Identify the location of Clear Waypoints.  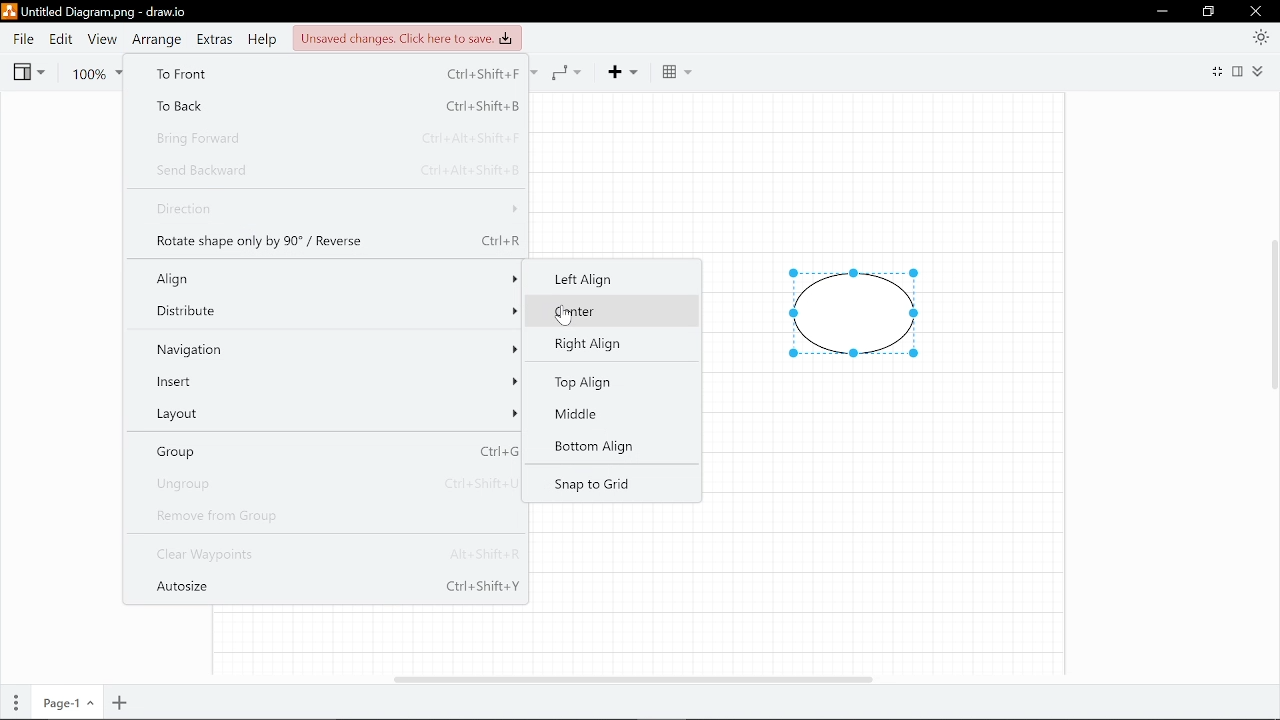
(334, 556).